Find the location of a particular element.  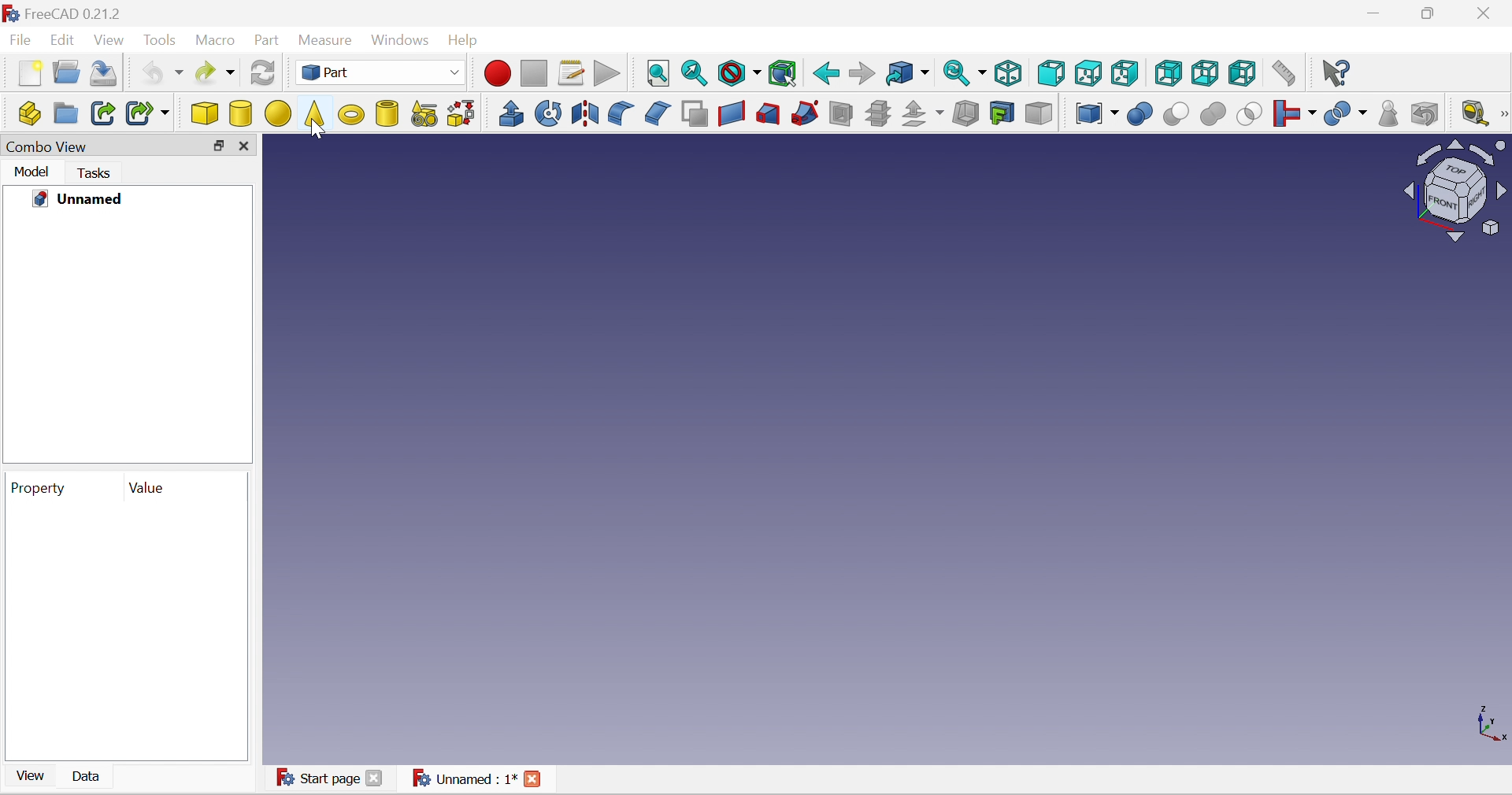

Measure is located at coordinates (326, 40).